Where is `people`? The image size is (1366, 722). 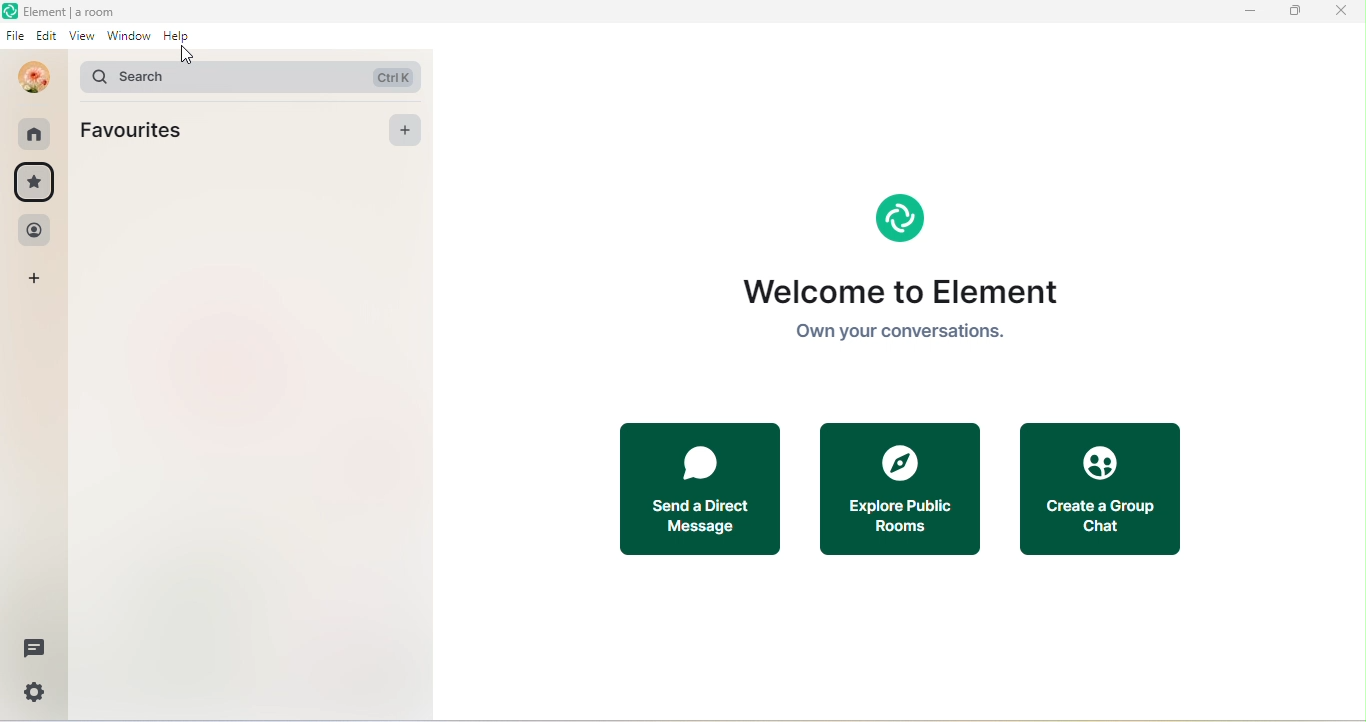 people is located at coordinates (33, 234).